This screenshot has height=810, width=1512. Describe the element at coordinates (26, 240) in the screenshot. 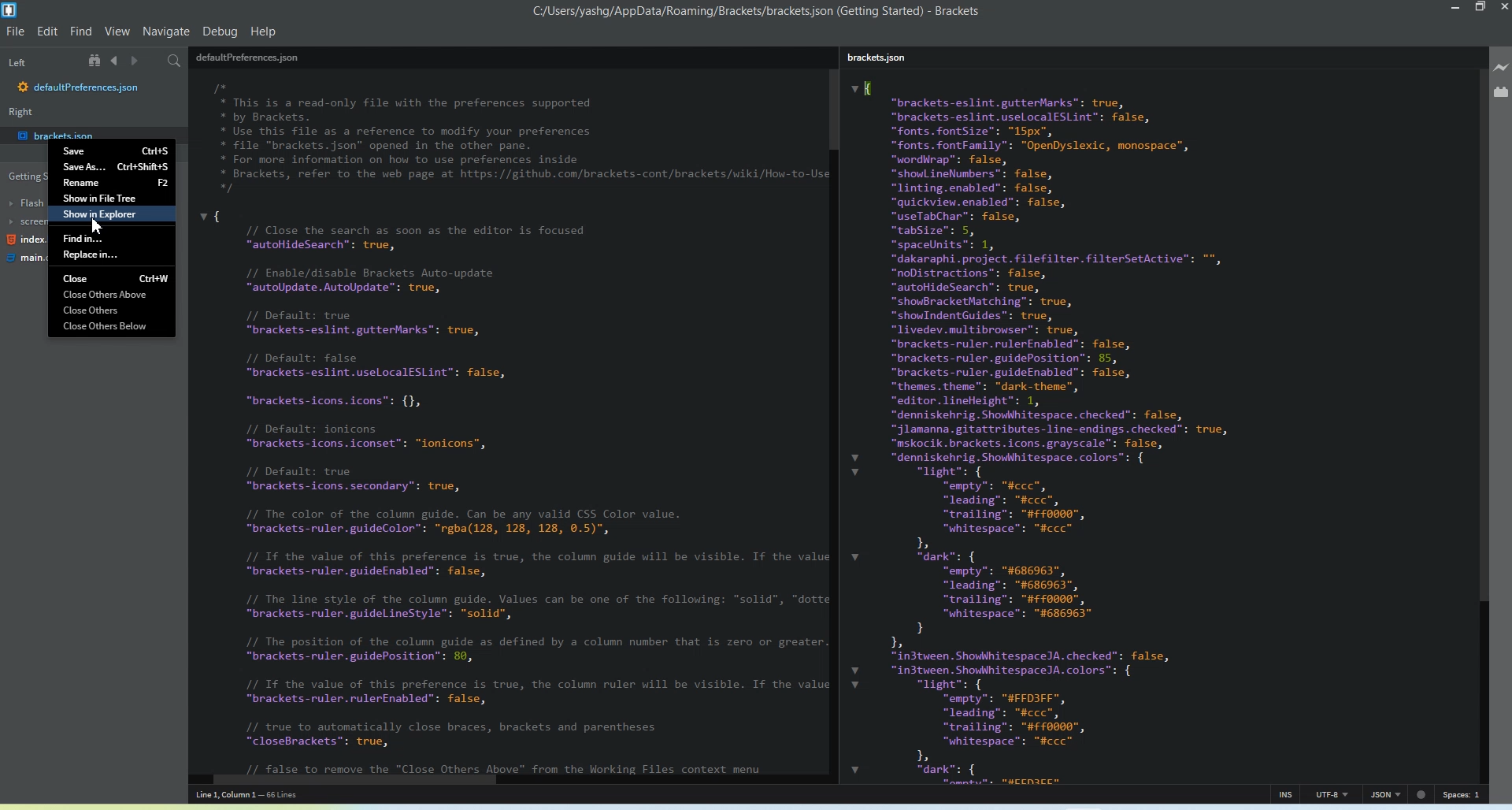

I see `index` at that location.